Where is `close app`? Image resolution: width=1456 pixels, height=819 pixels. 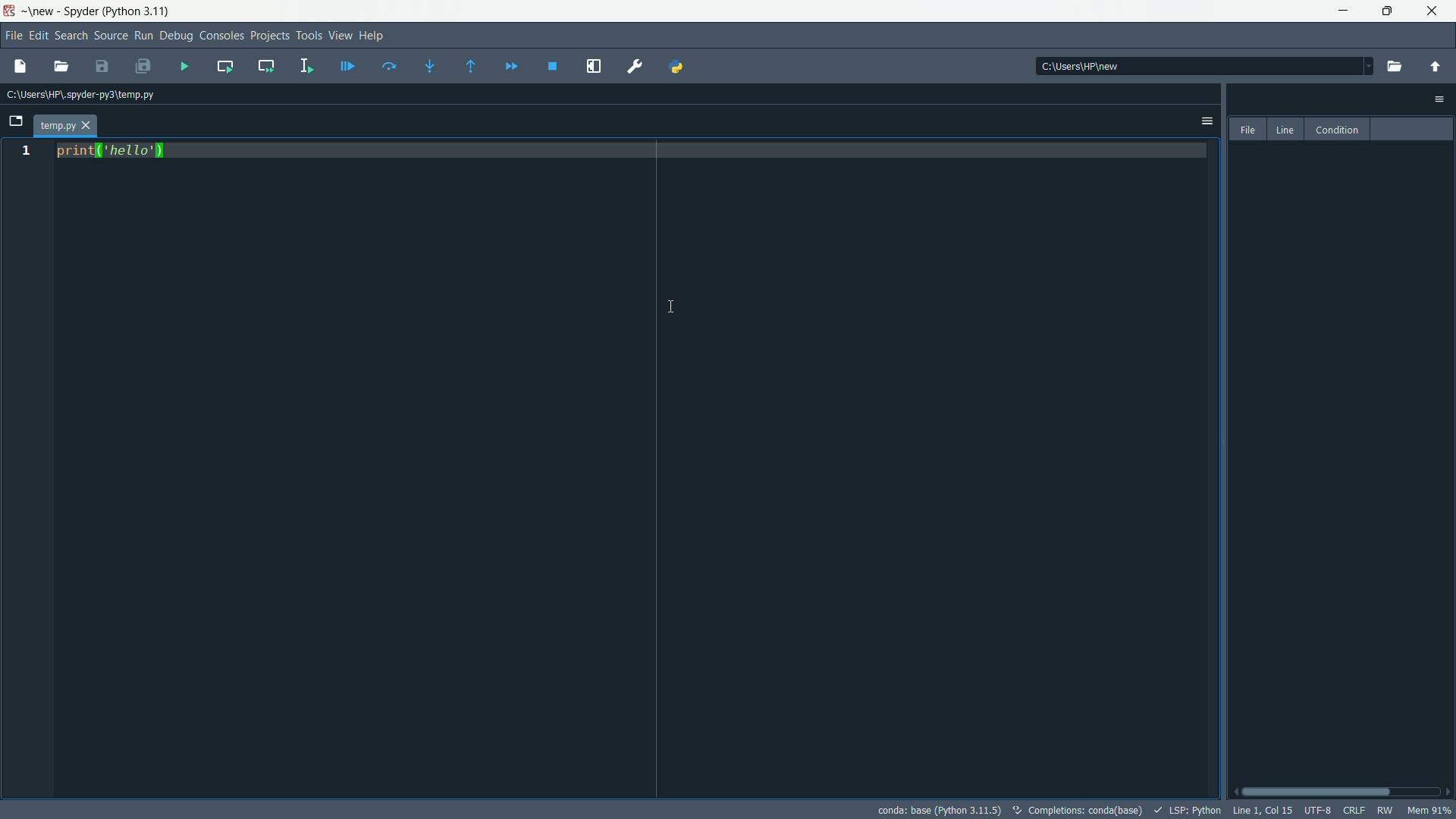 close app is located at coordinates (1436, 11).